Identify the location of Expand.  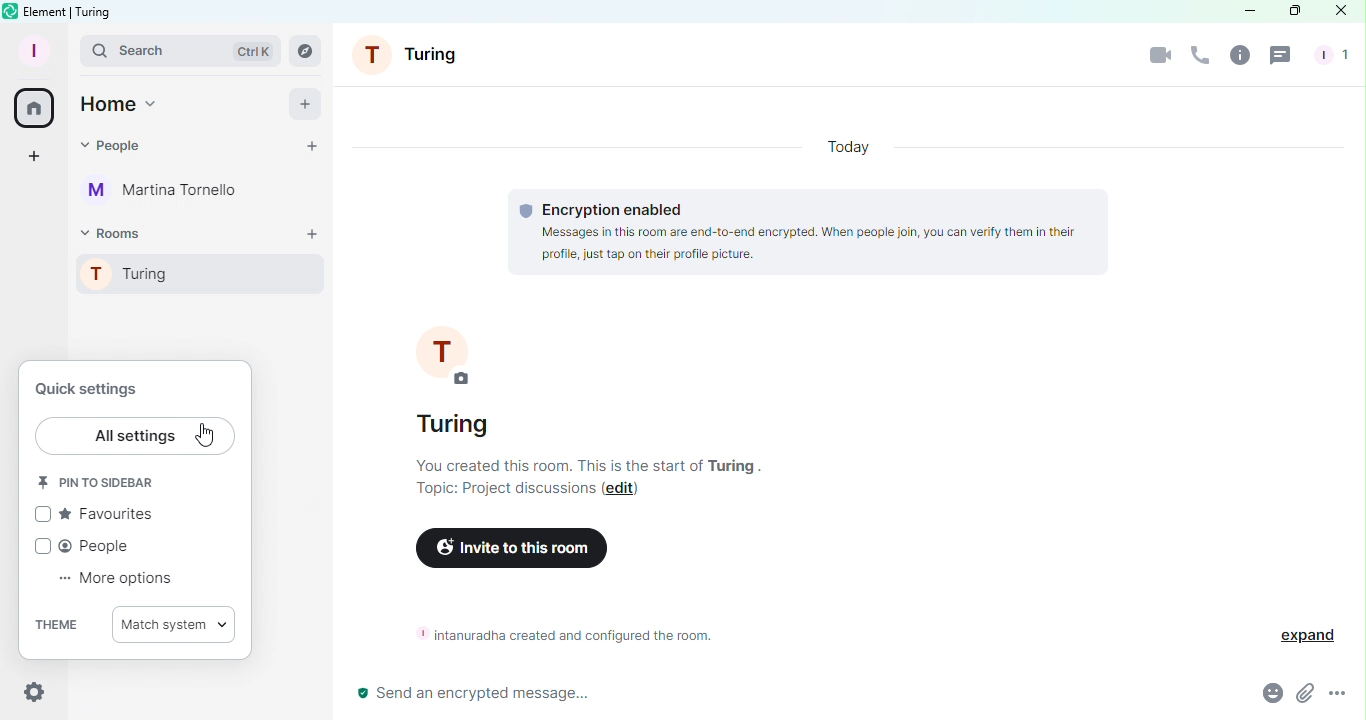
(1296, 632).